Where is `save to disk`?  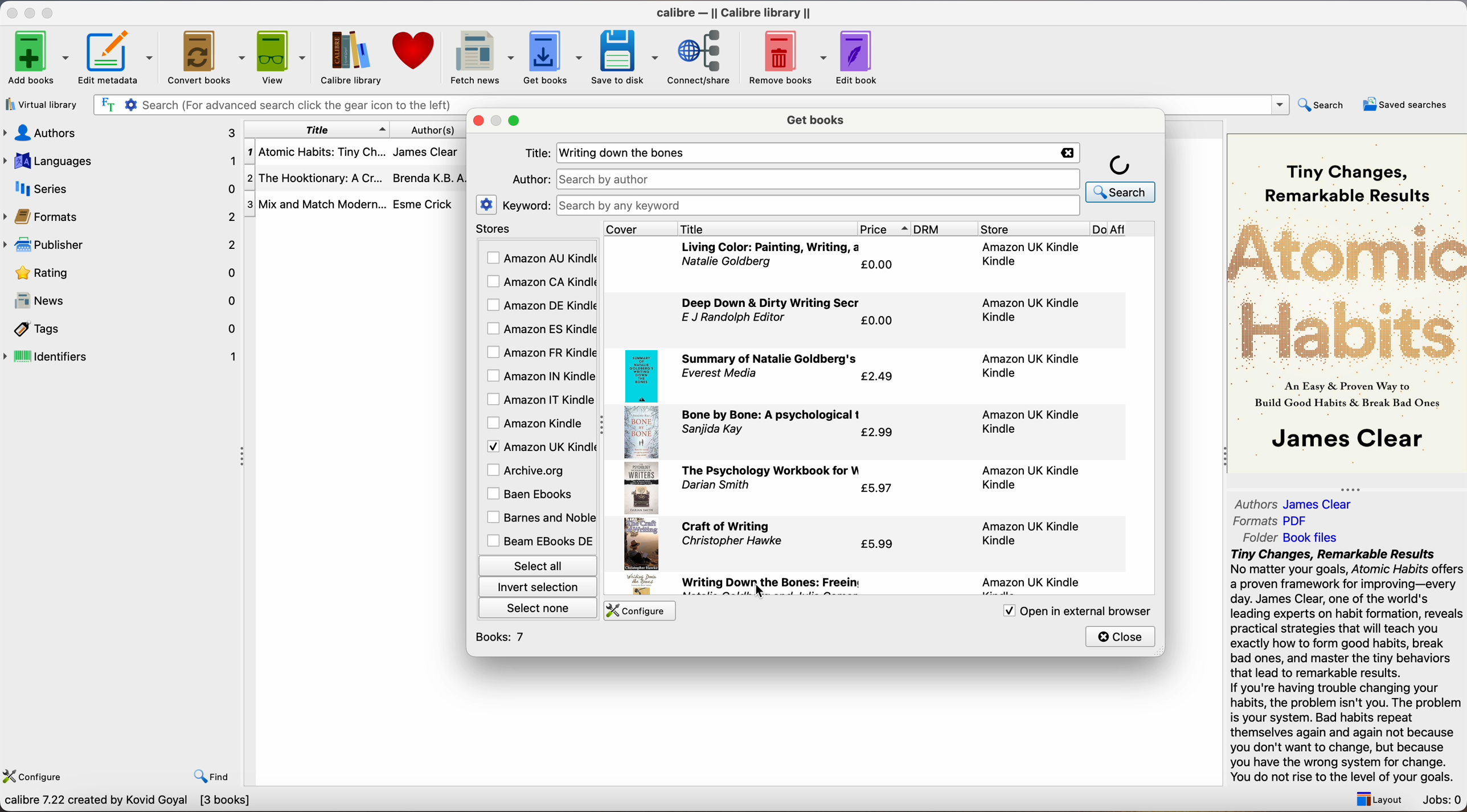
save to disk is located at coordinates (625, 58).